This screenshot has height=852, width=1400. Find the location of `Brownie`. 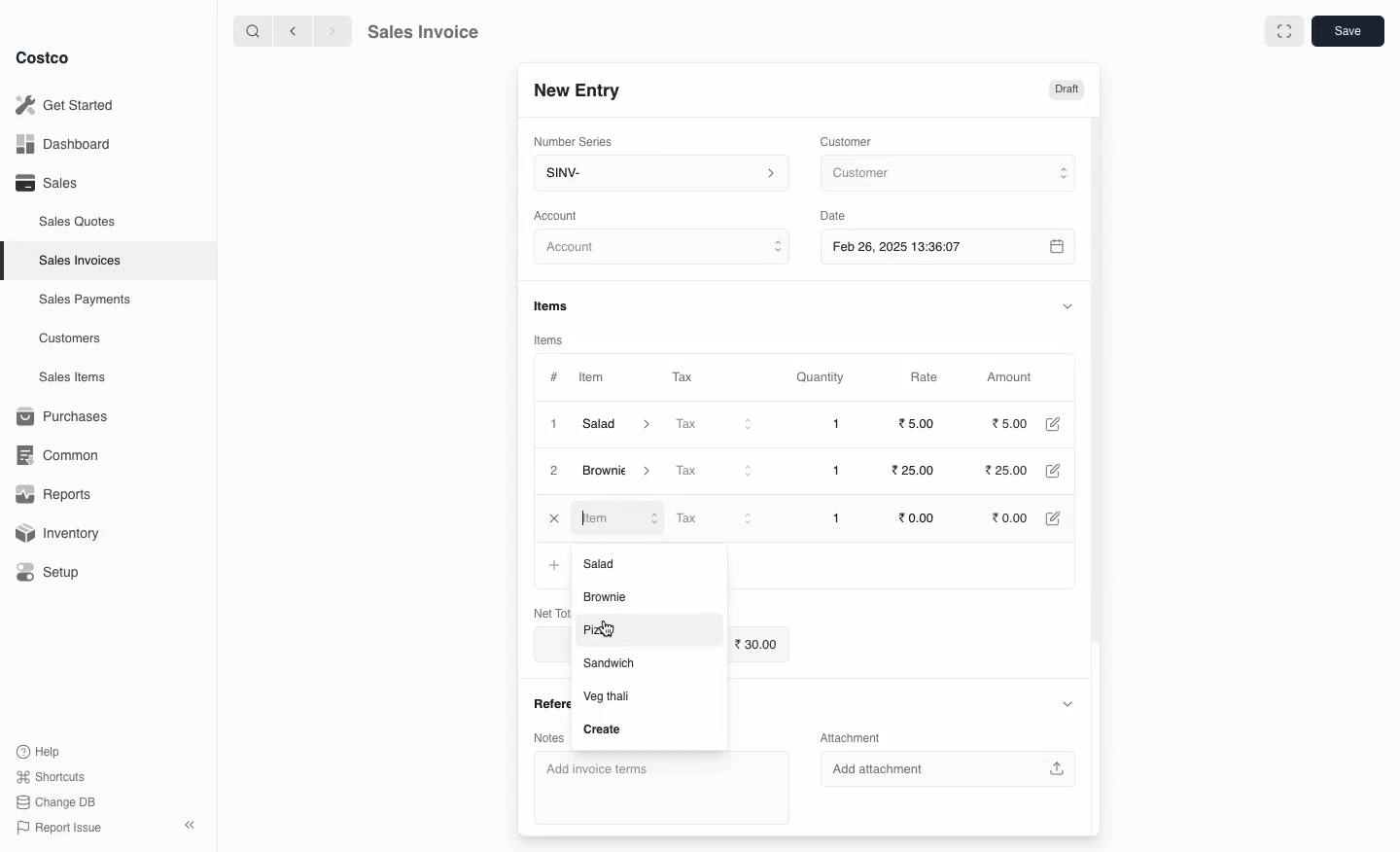

Brownie is located at coordinates (610, 596).